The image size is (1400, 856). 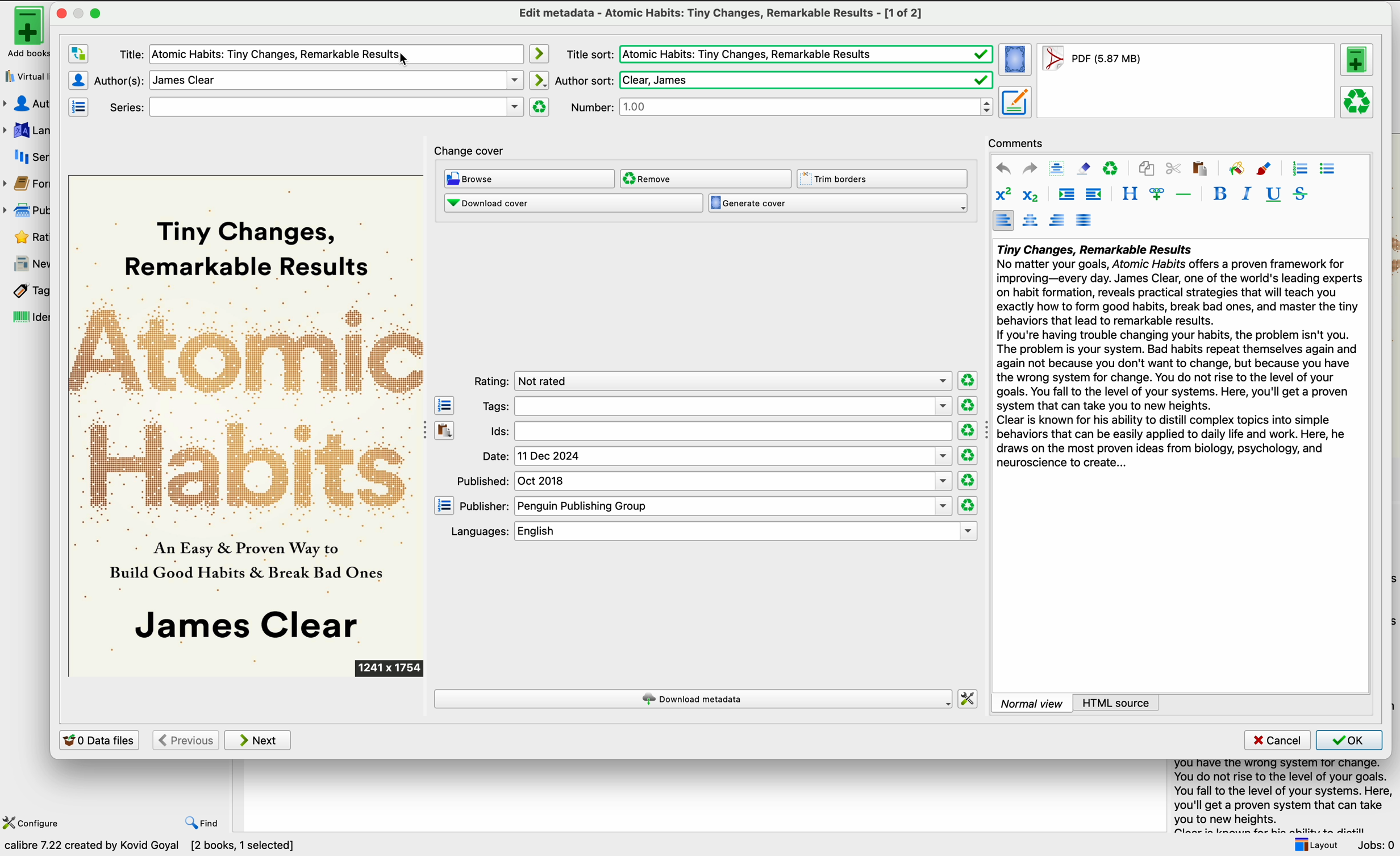 What do you see at coordinates (1276, 741) in the screenshot?
I see `cancel button` at bounding box center [1276, 741].